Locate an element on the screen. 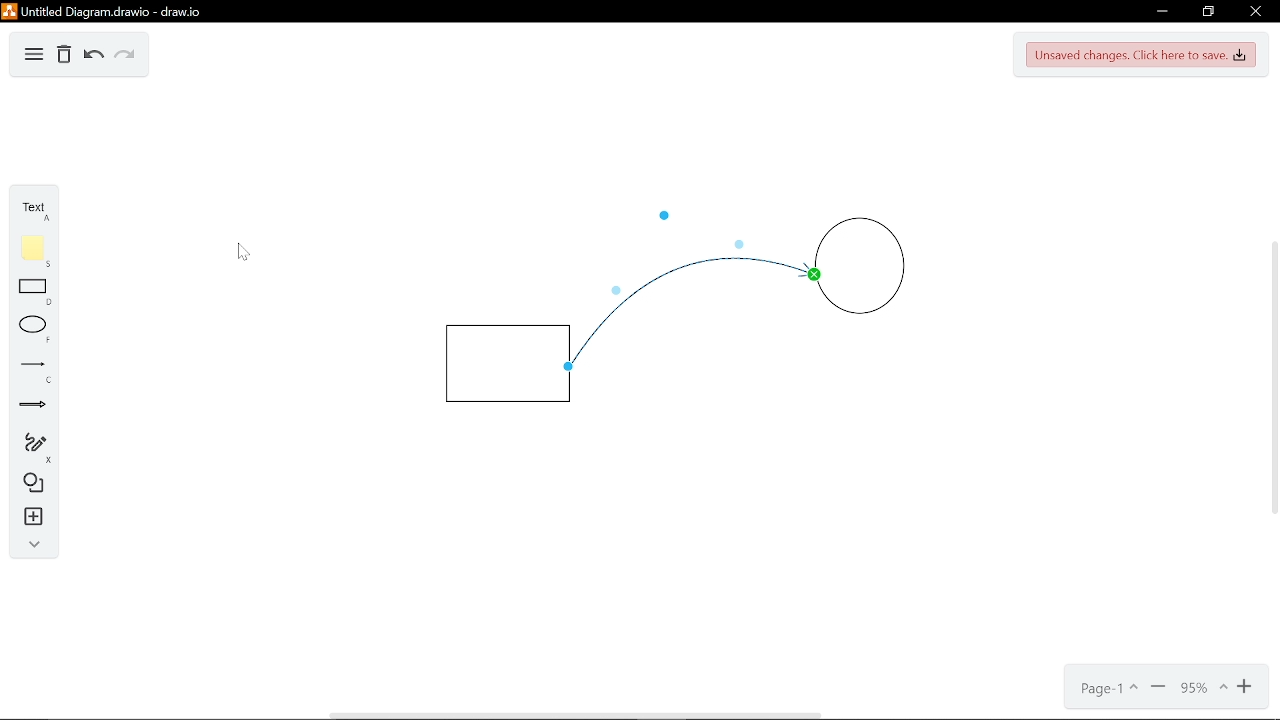 Image resolution: width=1280 pixels, height=720 pixels. Close is located at coordinates (1254, 12).